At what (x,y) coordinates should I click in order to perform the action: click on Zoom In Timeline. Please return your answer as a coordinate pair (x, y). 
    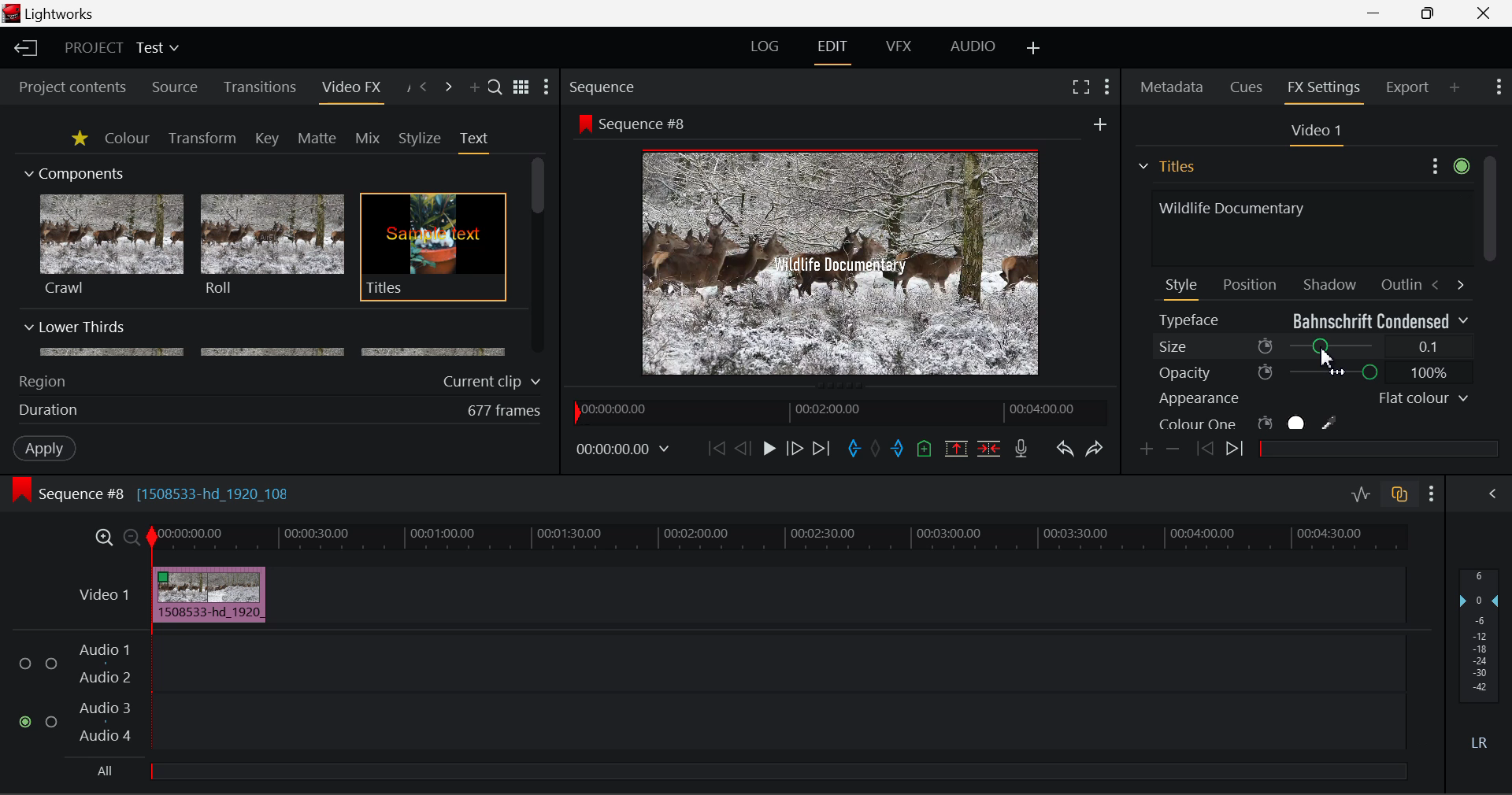
    Looking at the image, I should click on (104, 542).